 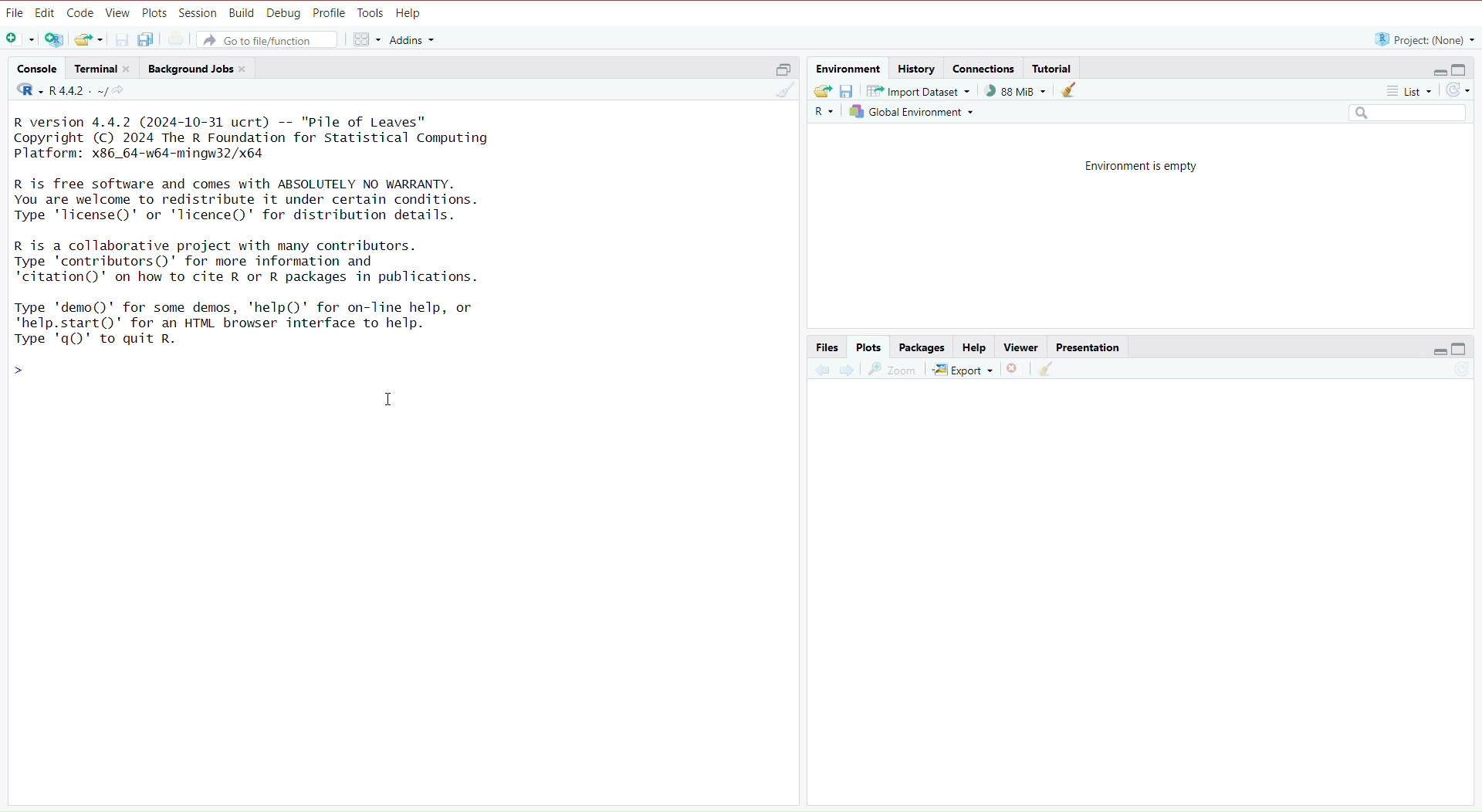 I want to click on list, so click(x=1401, y=90).